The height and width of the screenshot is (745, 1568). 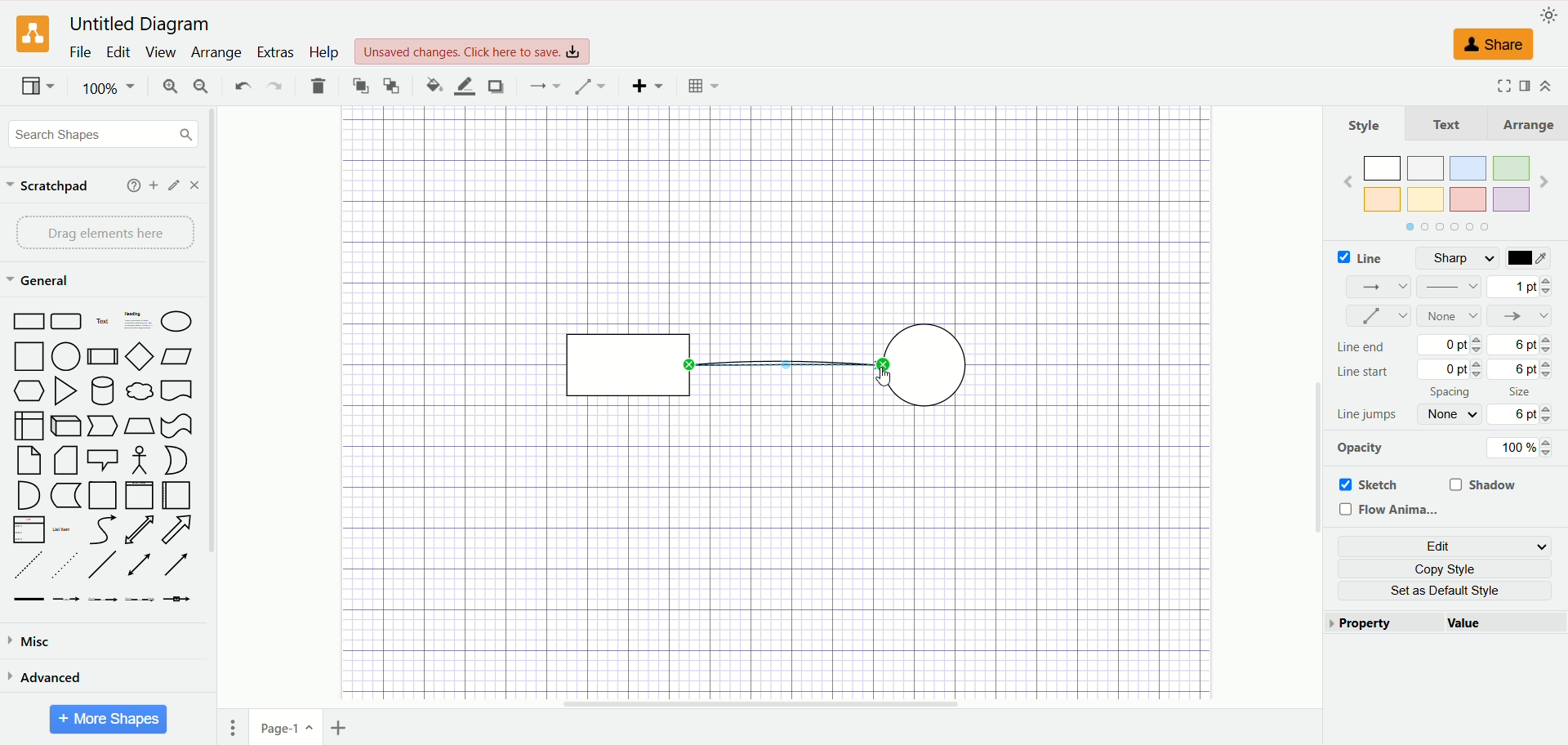 What do you see at coordinates (105, 531) in the screenshot?
I see `Curved Arrow` at bounding box center [105, 531].